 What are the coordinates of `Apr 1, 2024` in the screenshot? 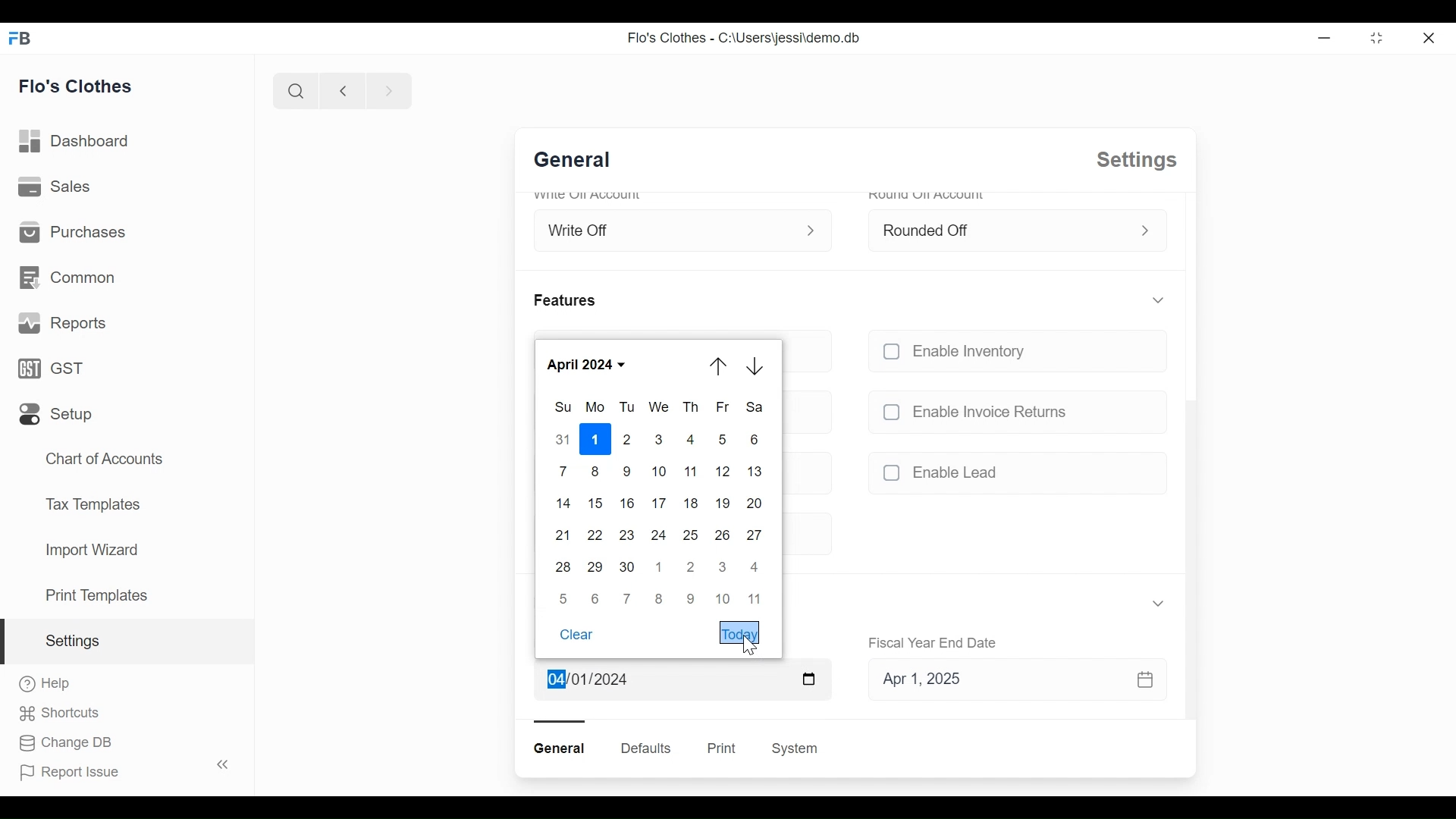 It's located at (680, 680).